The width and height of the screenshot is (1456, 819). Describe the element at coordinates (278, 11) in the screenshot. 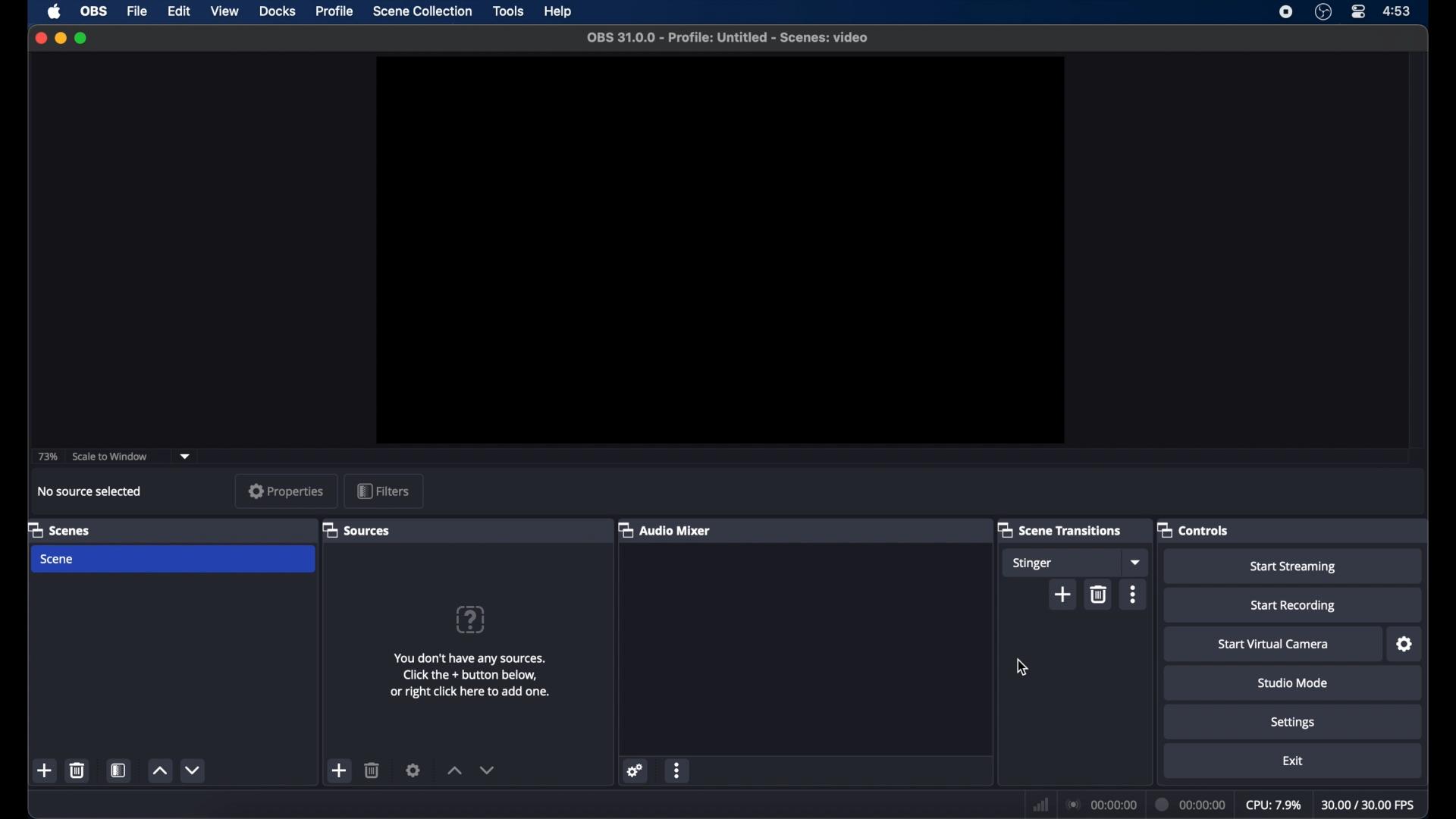

I see `docks` at that location.